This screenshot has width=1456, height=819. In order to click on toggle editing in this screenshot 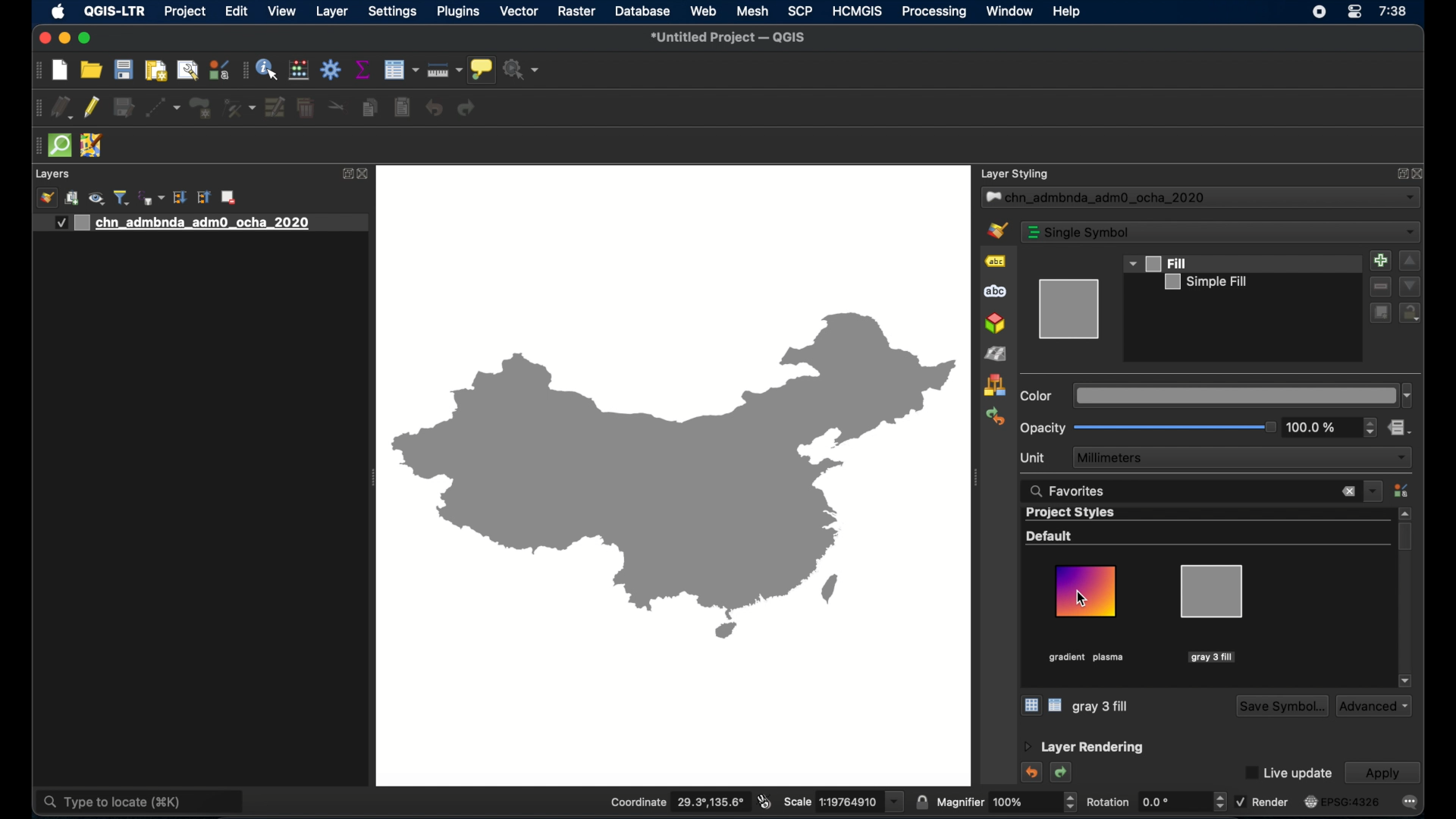, I will do `click(92, 107)`.